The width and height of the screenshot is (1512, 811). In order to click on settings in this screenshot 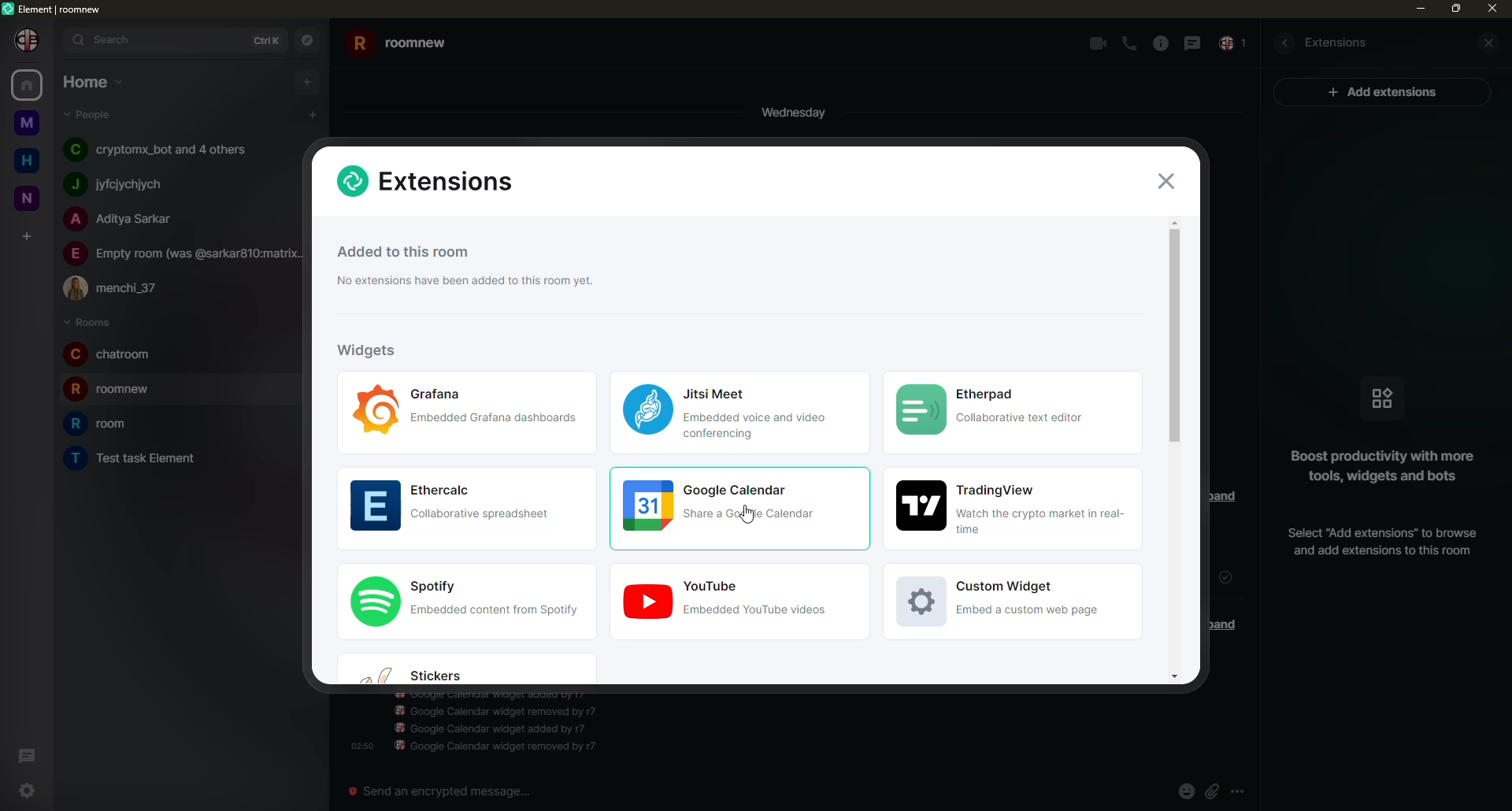, I will do `click(31, 794)`.